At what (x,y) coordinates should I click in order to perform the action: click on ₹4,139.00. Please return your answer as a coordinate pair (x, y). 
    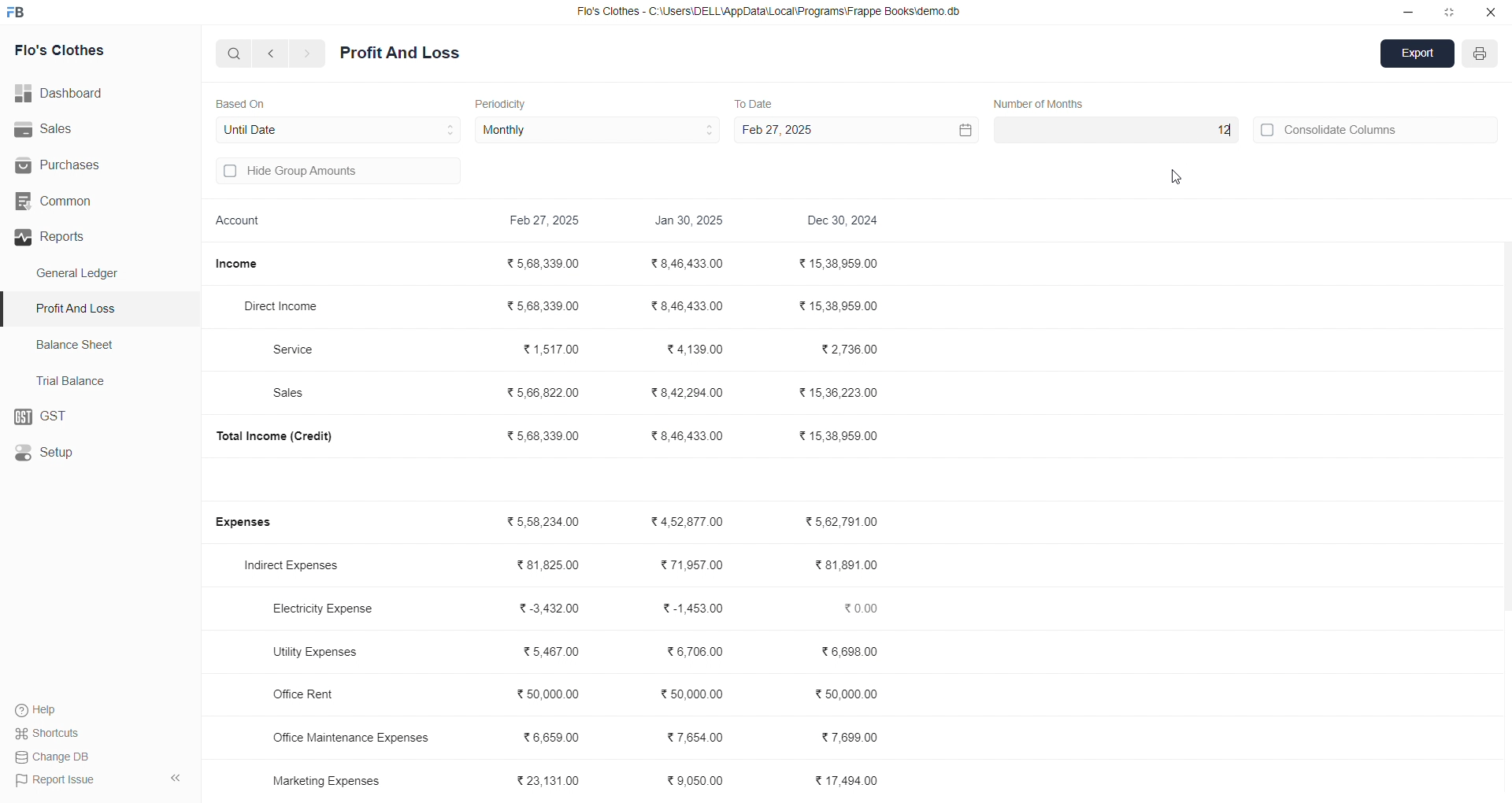
    Looking at the image, I should click on (695, 350).